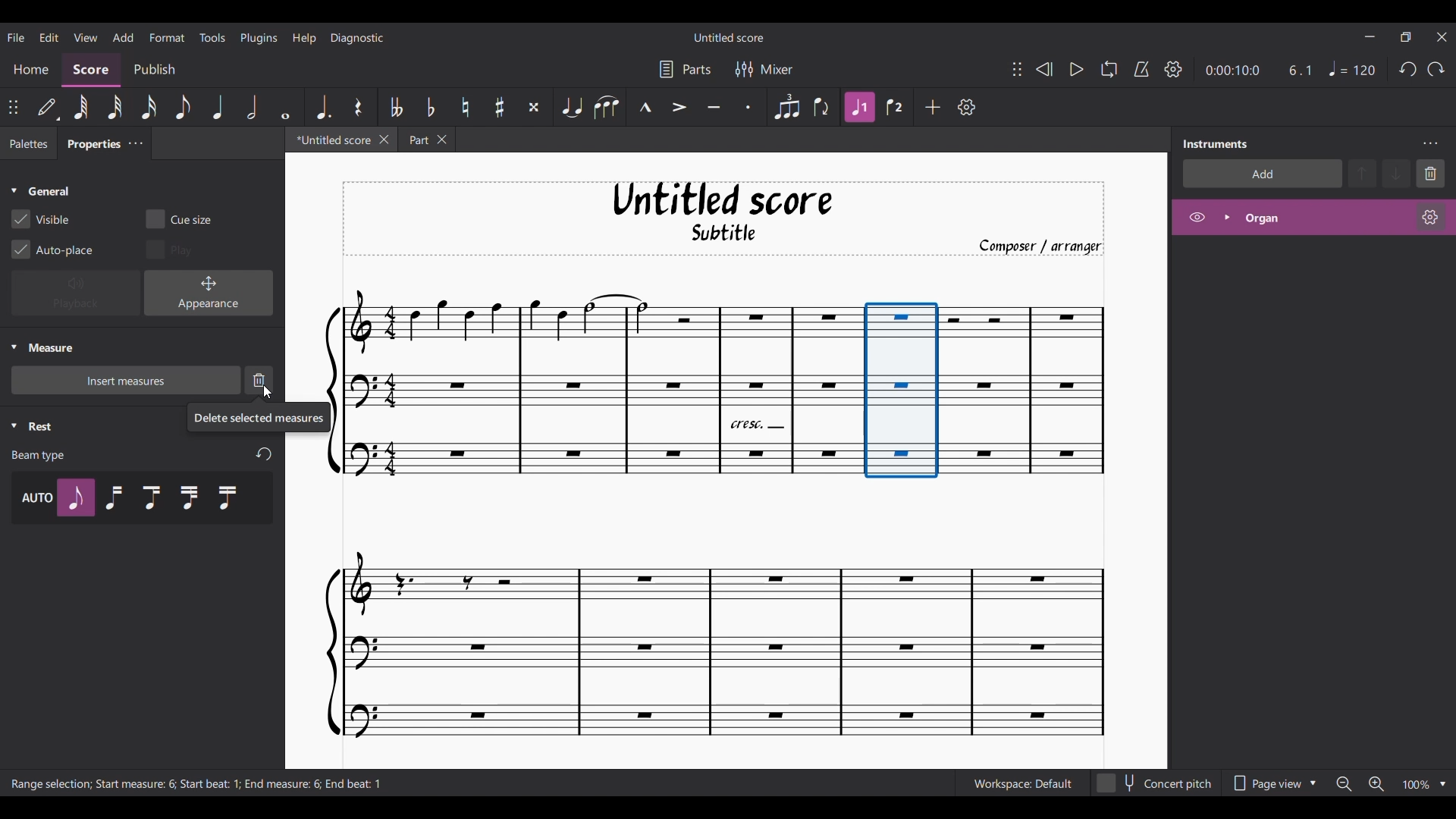 The width and height of the screenshot is (1456, 819). What do you see at coordinates (1442, 785) in the screenshot?
I see `Zoom options` at bounding box center [1442, 785].